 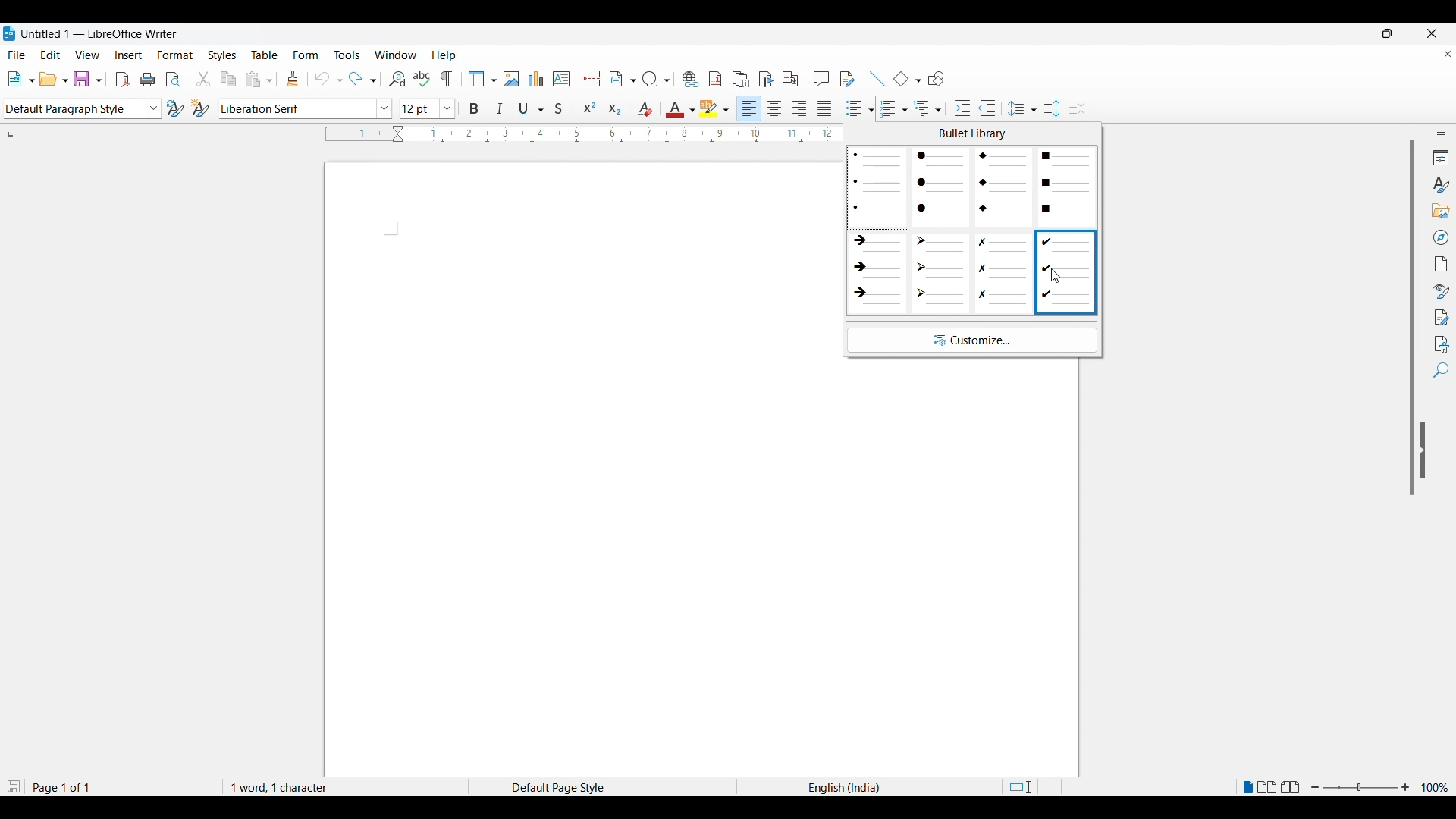 I want to click on insert book mark, so click(x=767, y=78).